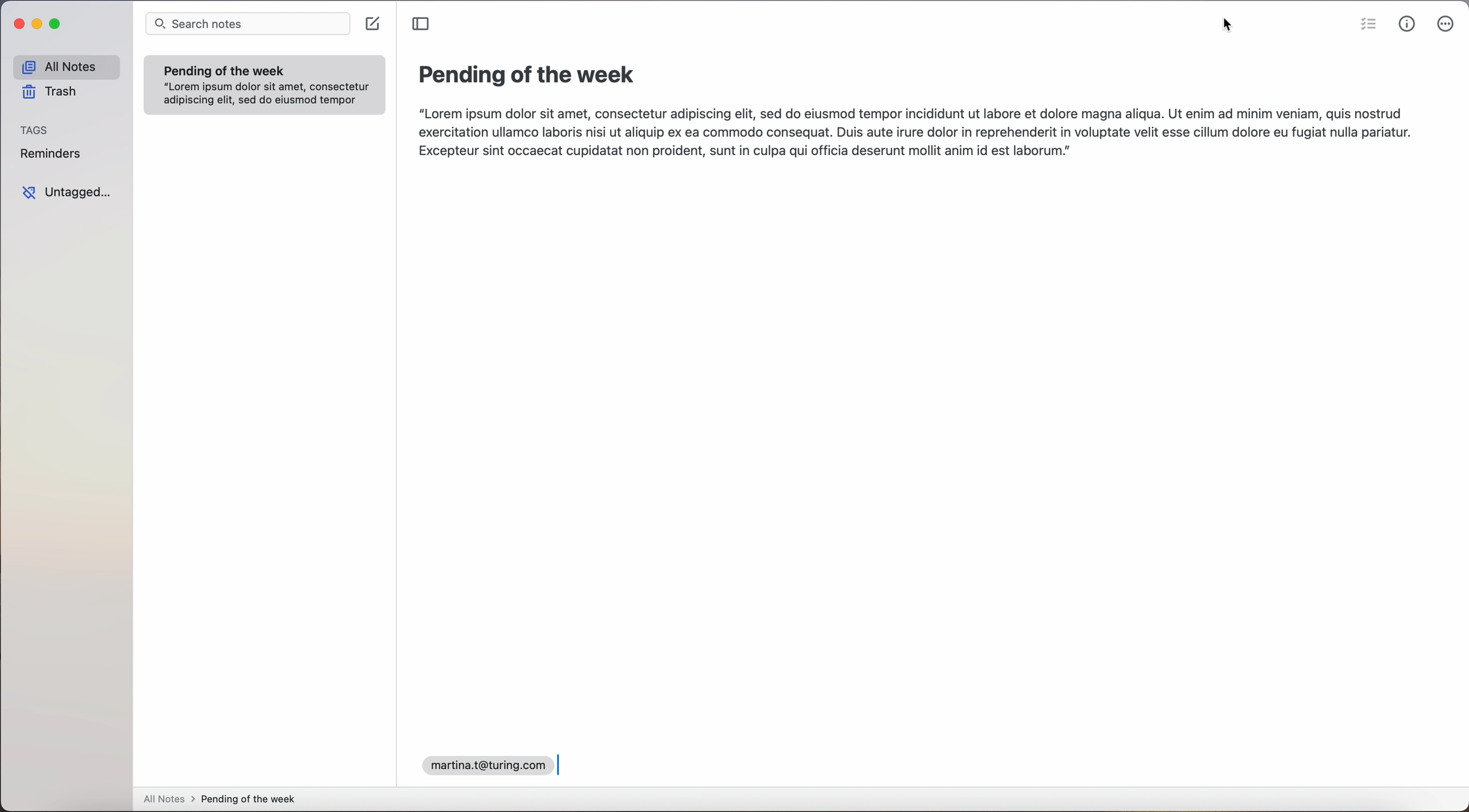 Image resolution: width=1469 pixels, height=812 pixels. What do you see at coordinates (916, 135) in the screenshot?
I see `“Lorem ipsum dolor sit amet, consectetur adipiscing elit, sed do eiusmod tempor incididunt ut labore et dolore magna aliqua. Ut enim ad minim veniam, quis nostrud
exercitation ullamco laboris nisi ut aliquip ex ea commodo consequat. Duis aute irure dolor in reprehenderit in voluptate velit esse cillum dolore eu fugiat nulla pariatur.
Excepteur sint occaecat cupidatat non proident, sunt in culpa qui officia deserunt mollit anim id est laborum.]|` at bounding box center [916, 135].